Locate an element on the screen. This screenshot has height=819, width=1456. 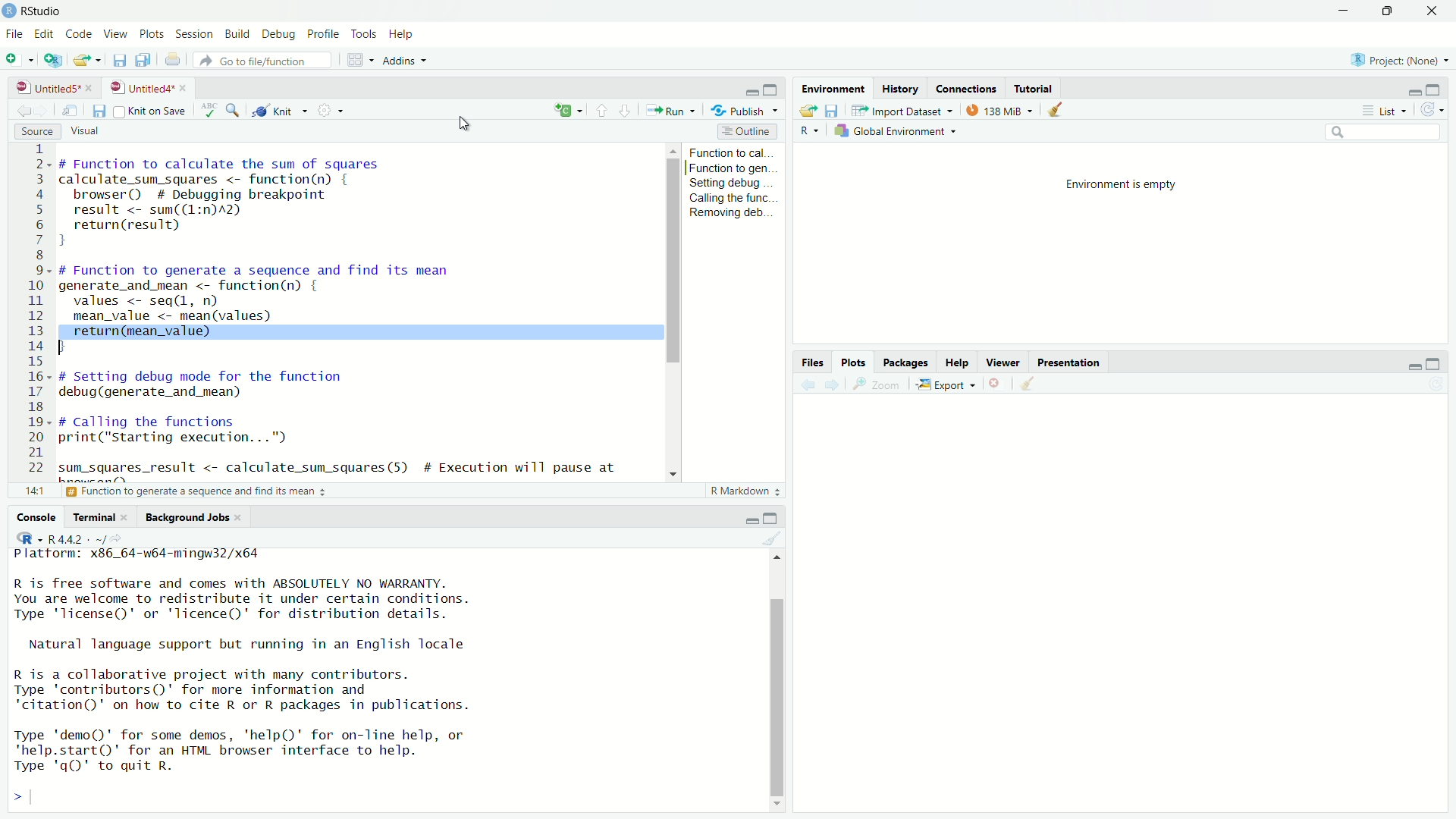
Removing deb... is located at coordinates (734, 215).